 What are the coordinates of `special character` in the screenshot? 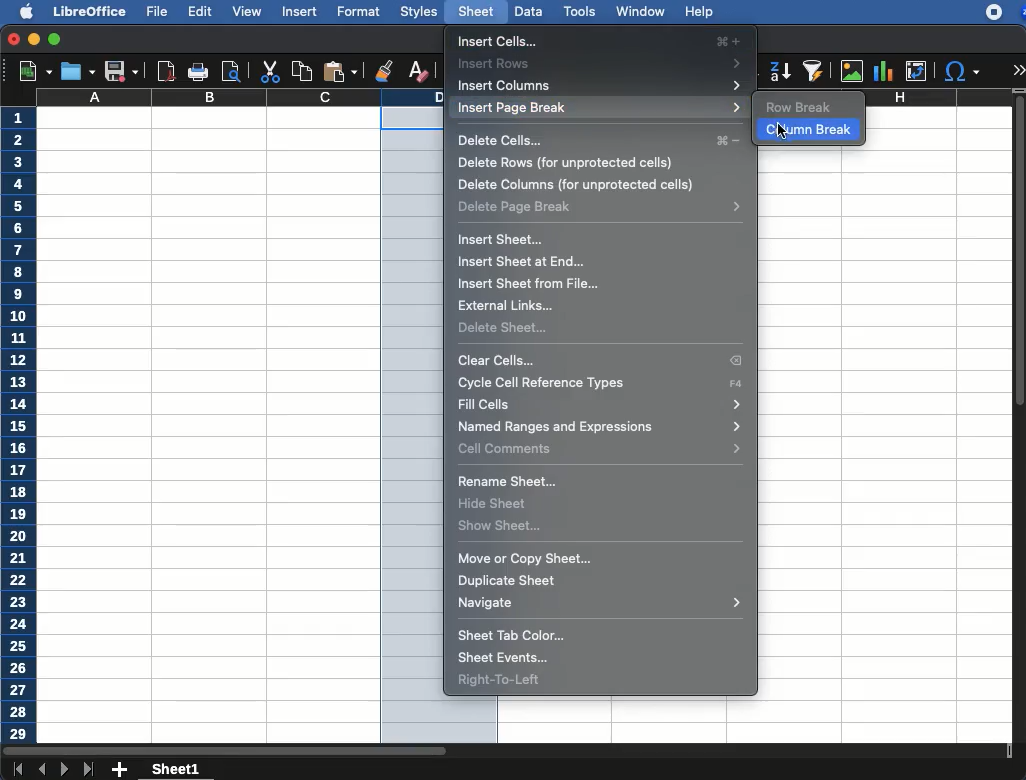 It's located at (962, 73).